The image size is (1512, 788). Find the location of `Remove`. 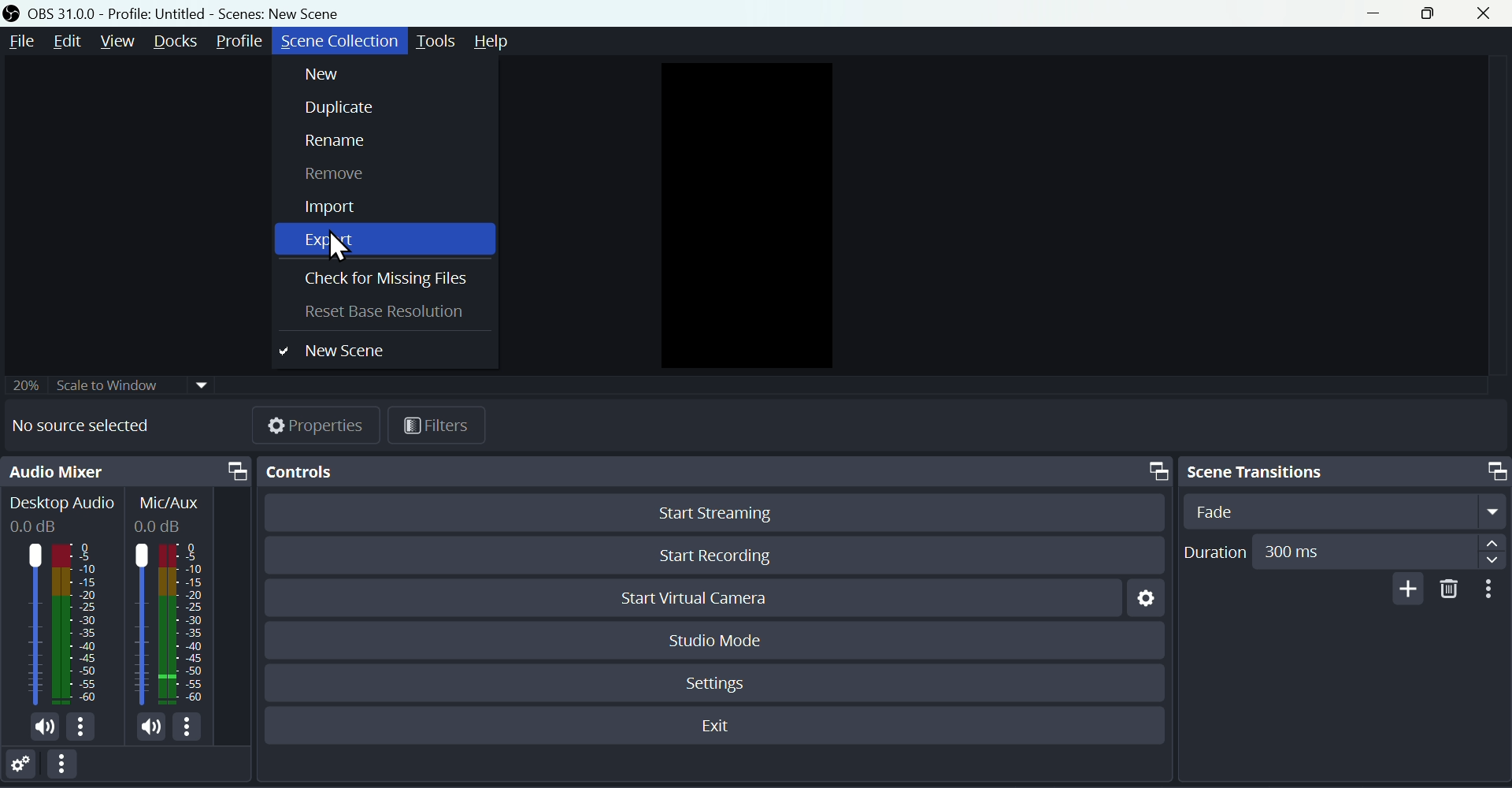

Remove is located at coordinates (330, 179).